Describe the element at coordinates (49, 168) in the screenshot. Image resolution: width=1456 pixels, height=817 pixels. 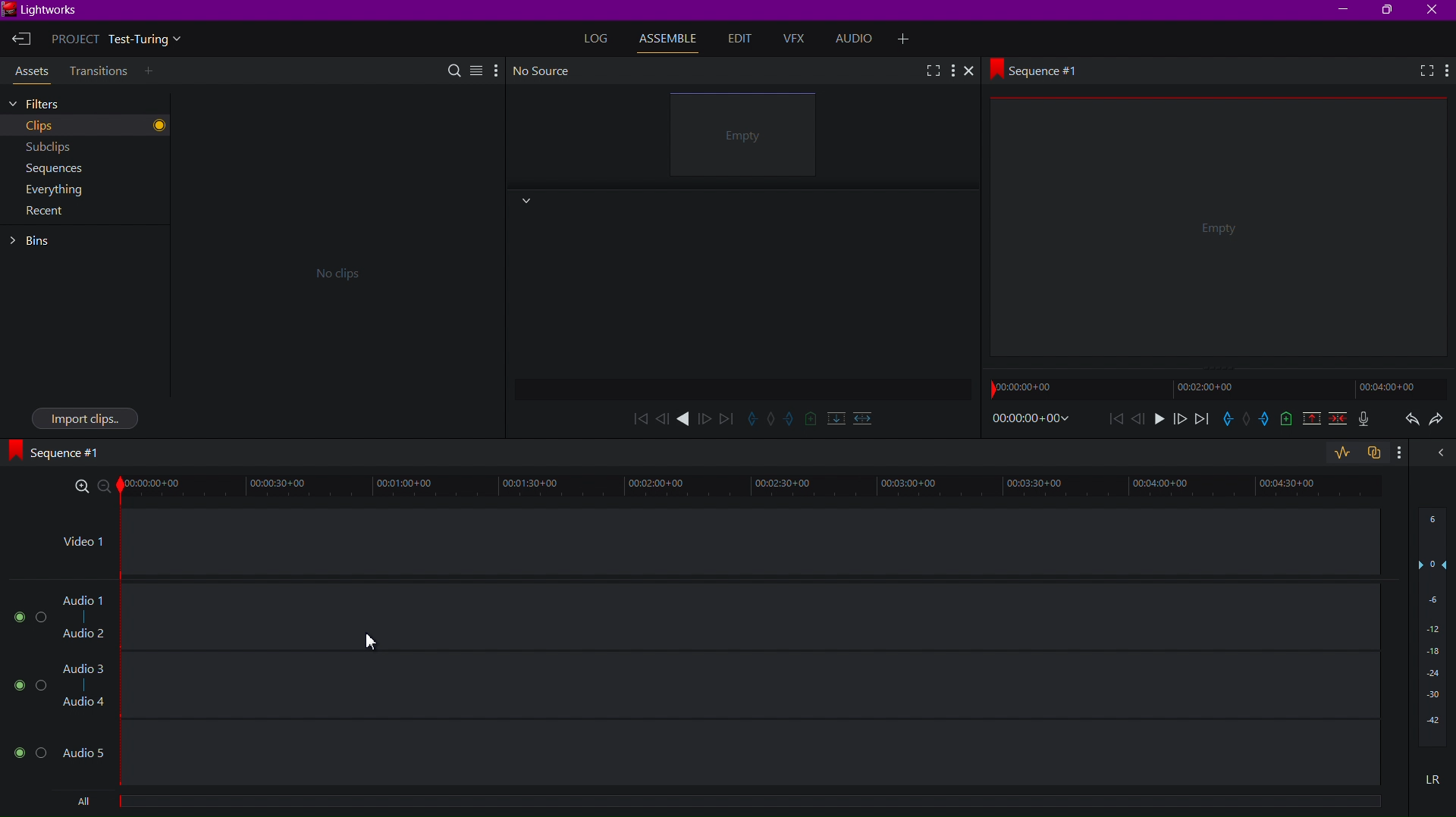
I see `Sequences` at that location.